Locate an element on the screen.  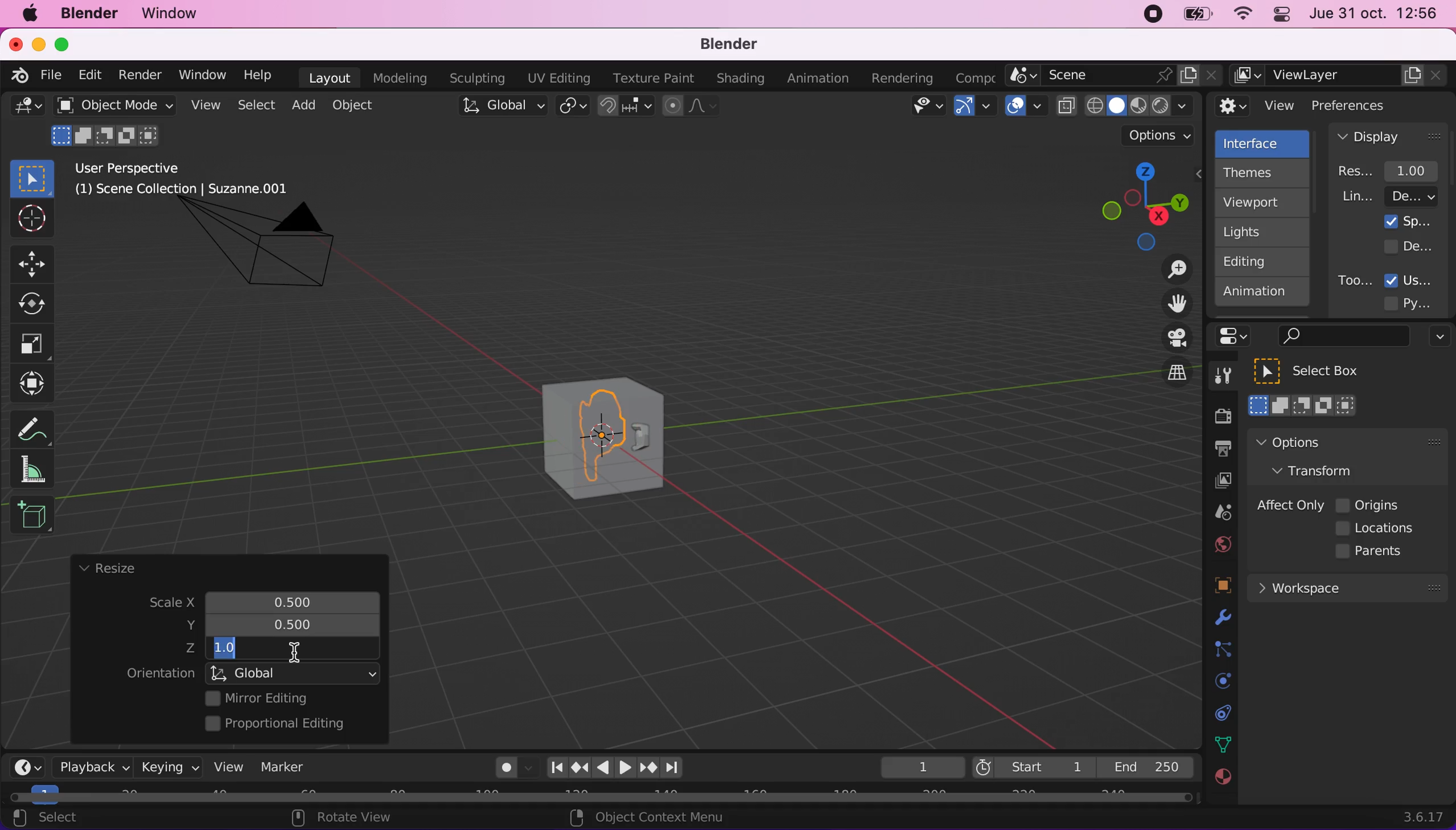
animation is located at coordinates (821, 79).